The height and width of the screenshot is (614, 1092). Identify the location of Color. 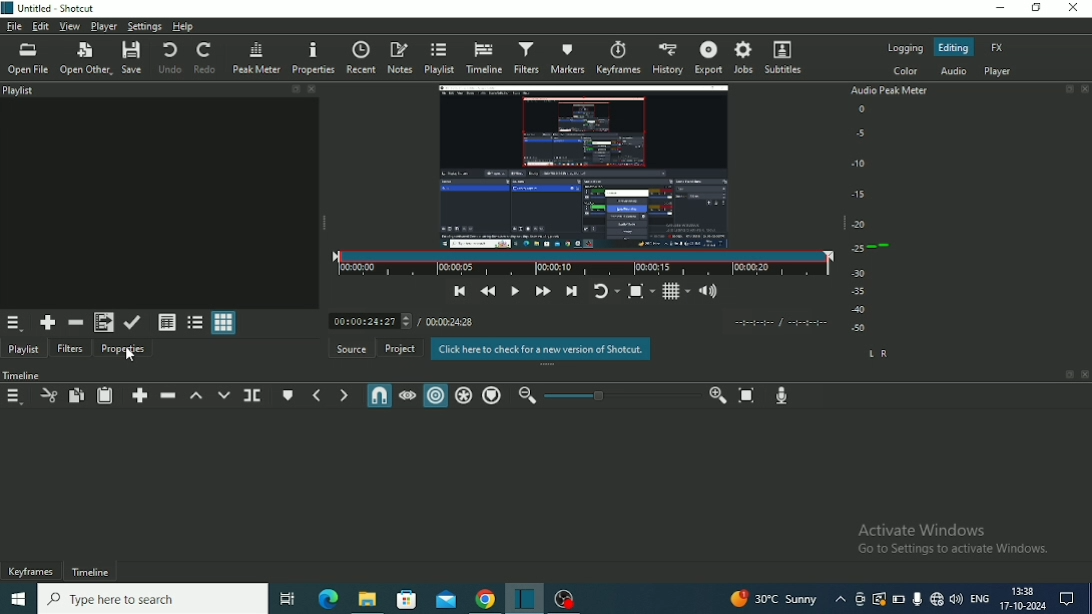
(907, 71).